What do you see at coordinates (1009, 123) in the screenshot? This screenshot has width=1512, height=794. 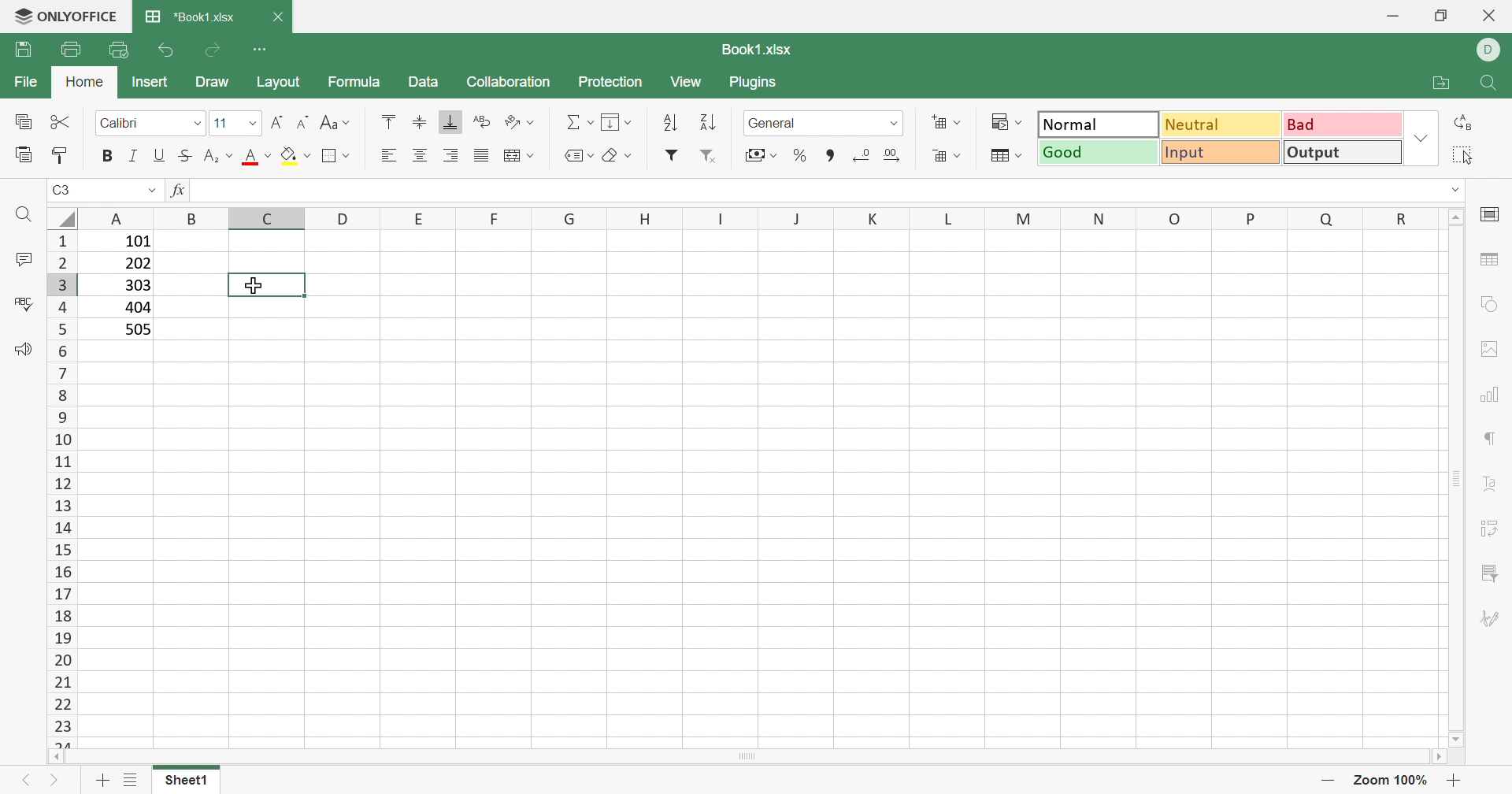 I see `Conditional formatting` at bounding box center [1009, 123].